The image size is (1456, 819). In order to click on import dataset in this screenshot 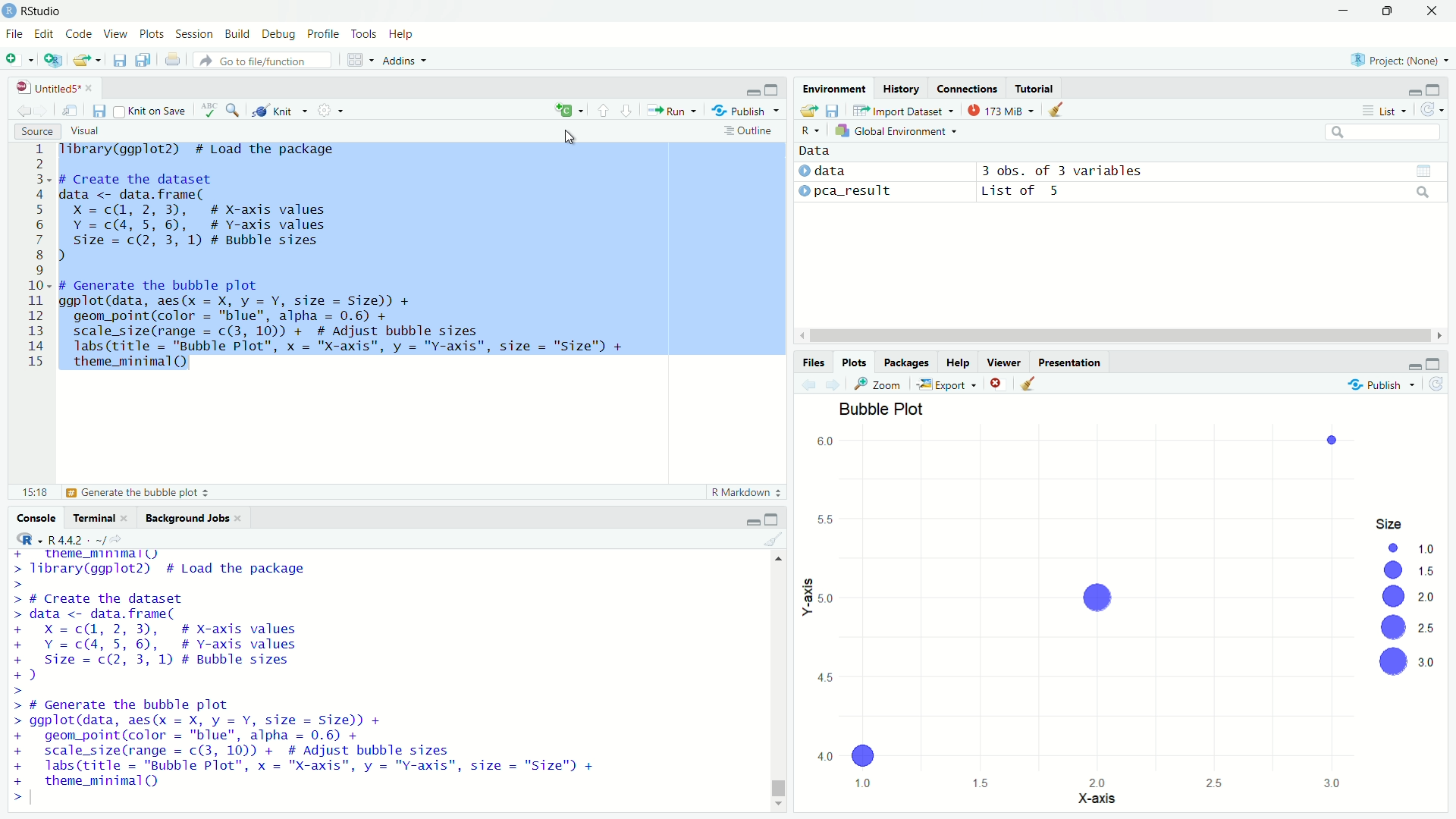, I will do `click(902, 111)`.